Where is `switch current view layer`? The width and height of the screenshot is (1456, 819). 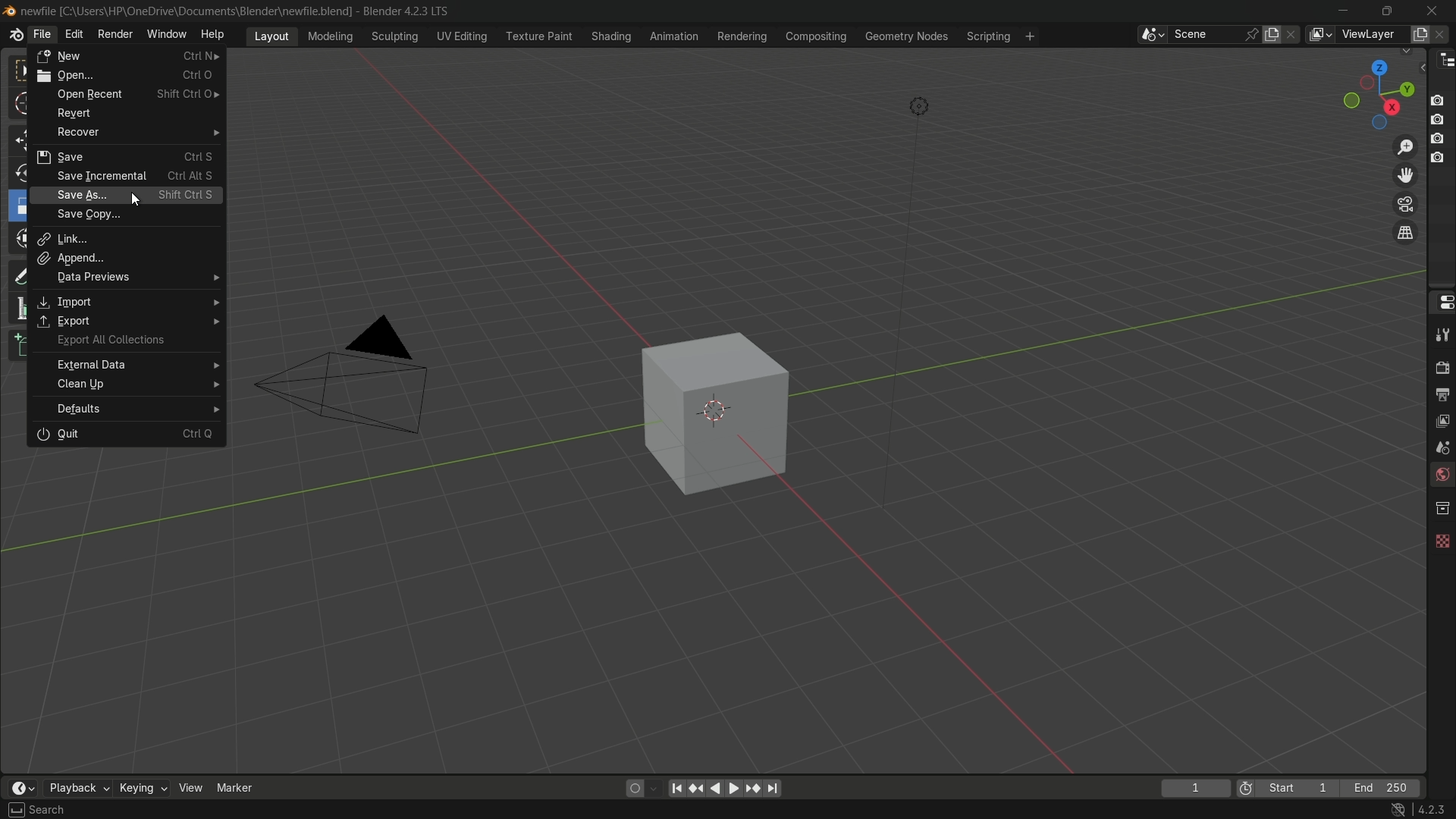
switch current view layer is located at coordinates (1405, 234).